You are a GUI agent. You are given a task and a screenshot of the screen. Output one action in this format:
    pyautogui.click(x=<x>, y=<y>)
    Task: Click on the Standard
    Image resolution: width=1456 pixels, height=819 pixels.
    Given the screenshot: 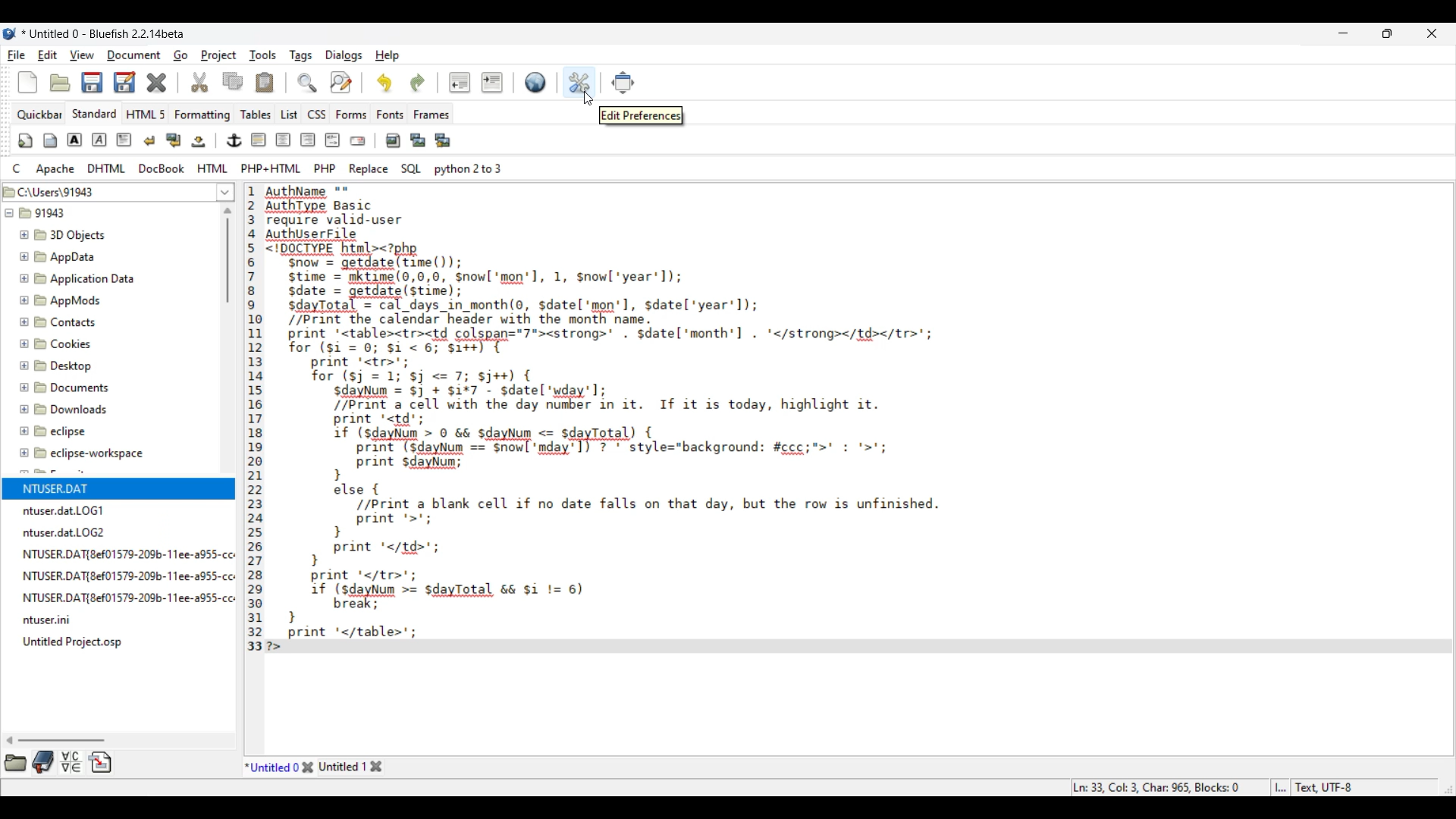 What is the action you would take?
    pyautogui.click(x=95, y=114)
    